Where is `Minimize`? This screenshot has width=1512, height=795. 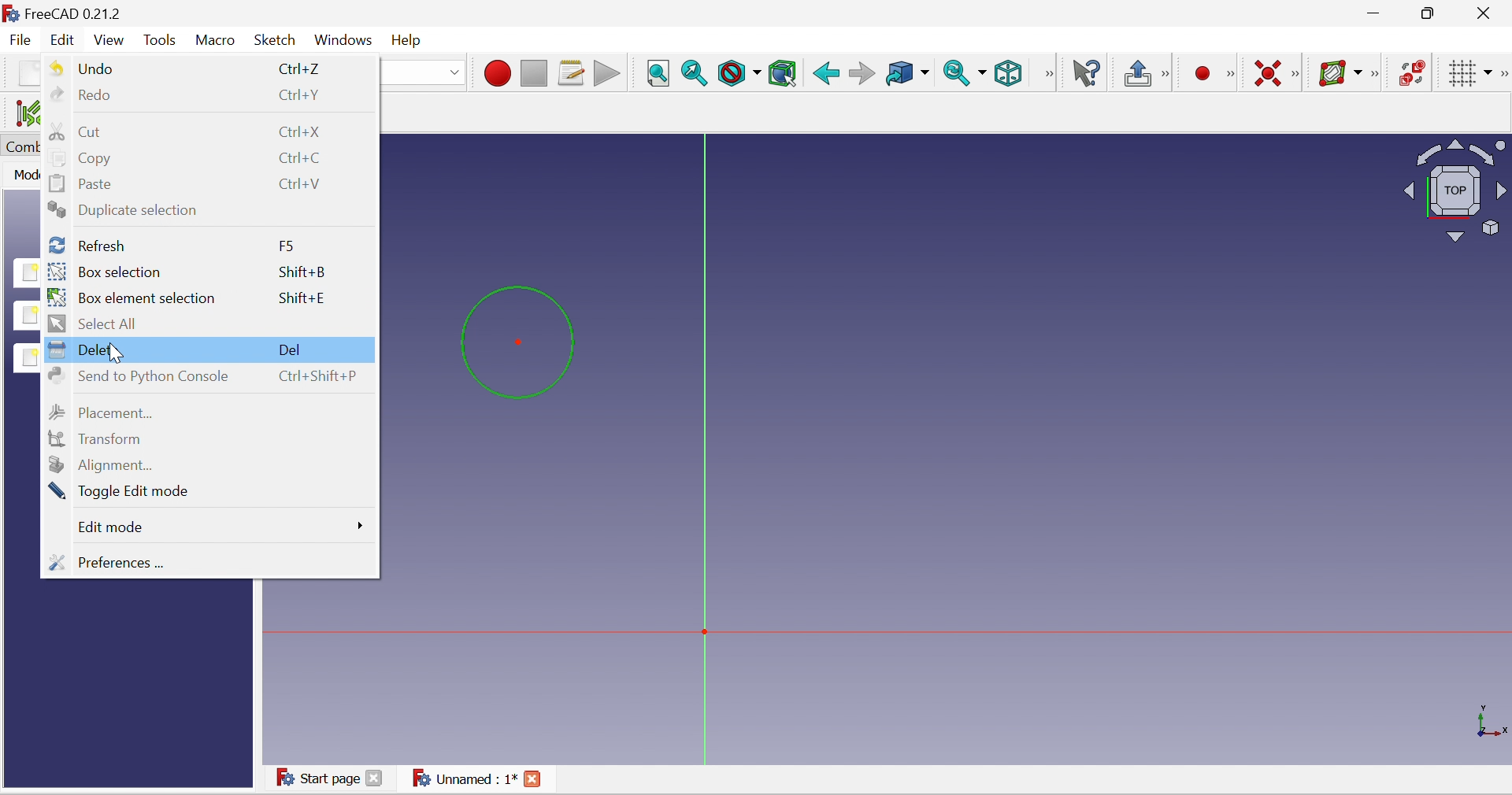
Minimize is located at coordinates (1374, 15).